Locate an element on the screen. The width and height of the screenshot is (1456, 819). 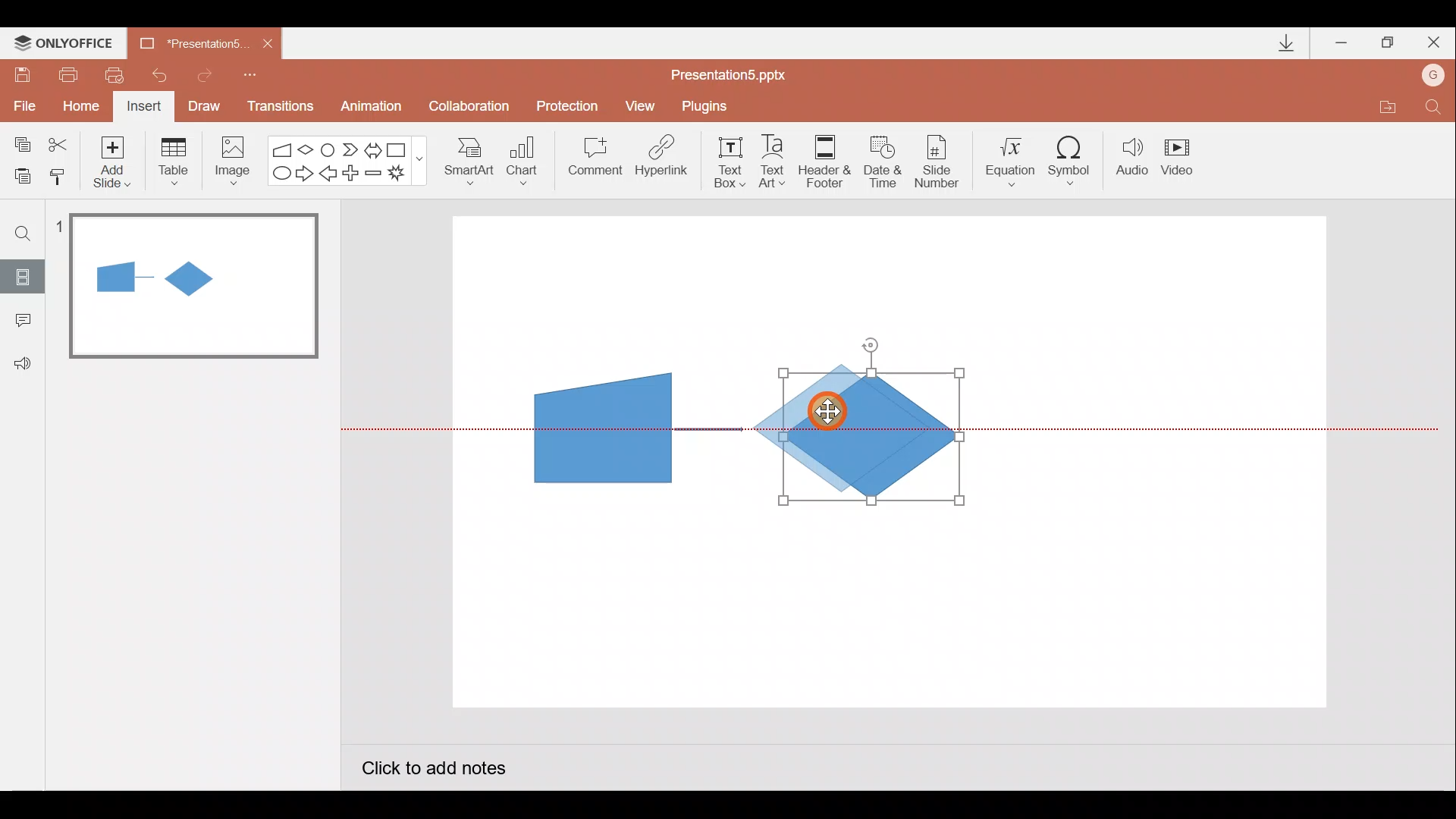
Flowchart - manual input is located at coordinates (284, 148).